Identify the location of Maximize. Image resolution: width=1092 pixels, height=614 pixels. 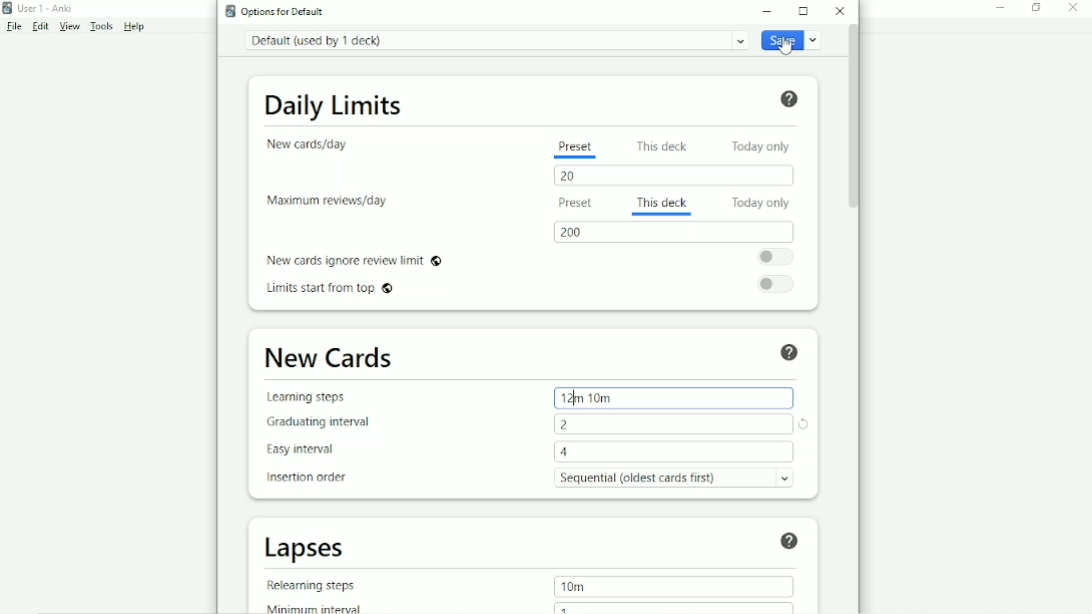
(805, 11).